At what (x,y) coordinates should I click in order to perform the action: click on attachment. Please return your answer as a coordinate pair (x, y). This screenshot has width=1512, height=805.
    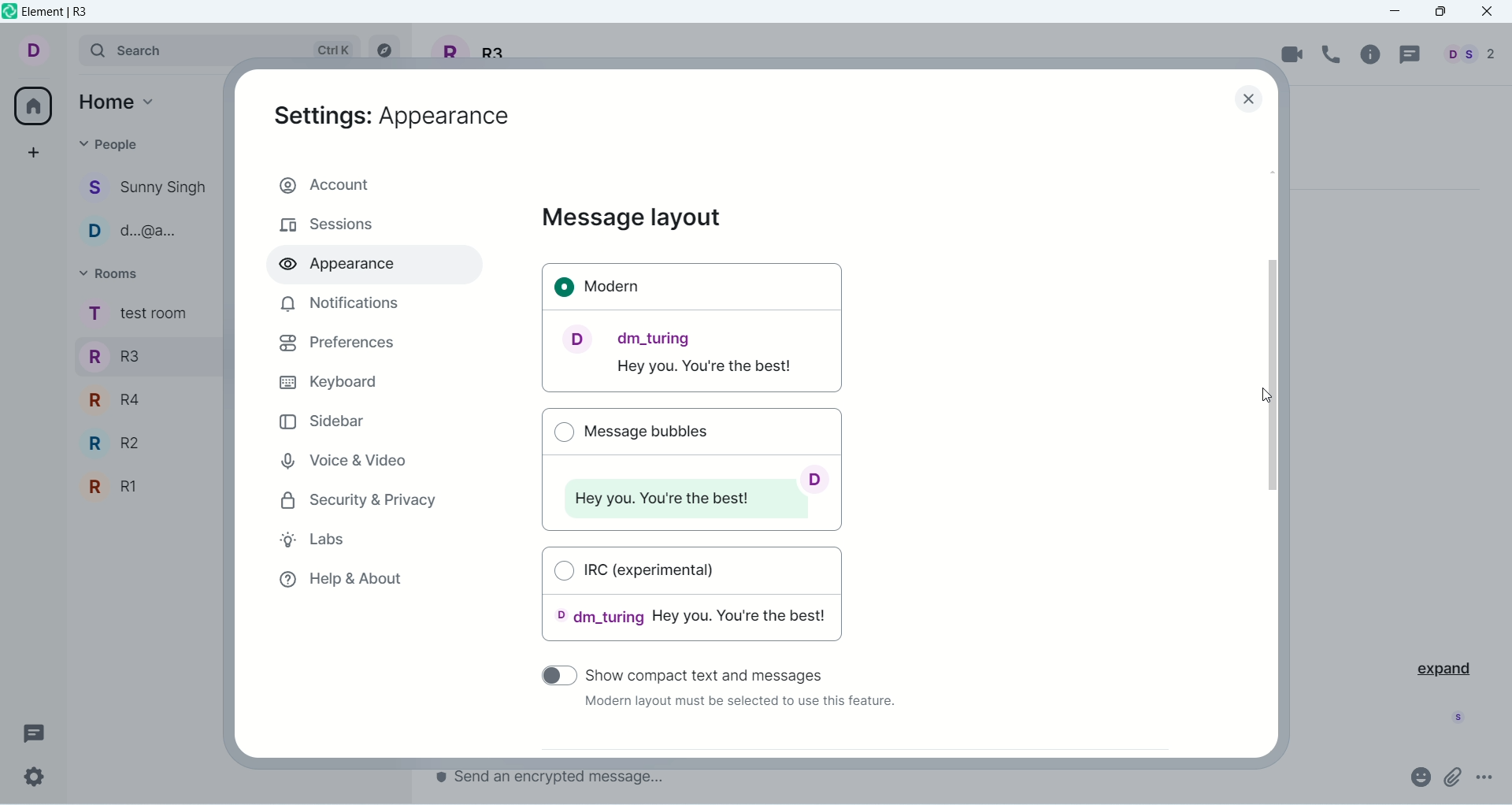
    Looking at the image, I should click on (1454, 777).